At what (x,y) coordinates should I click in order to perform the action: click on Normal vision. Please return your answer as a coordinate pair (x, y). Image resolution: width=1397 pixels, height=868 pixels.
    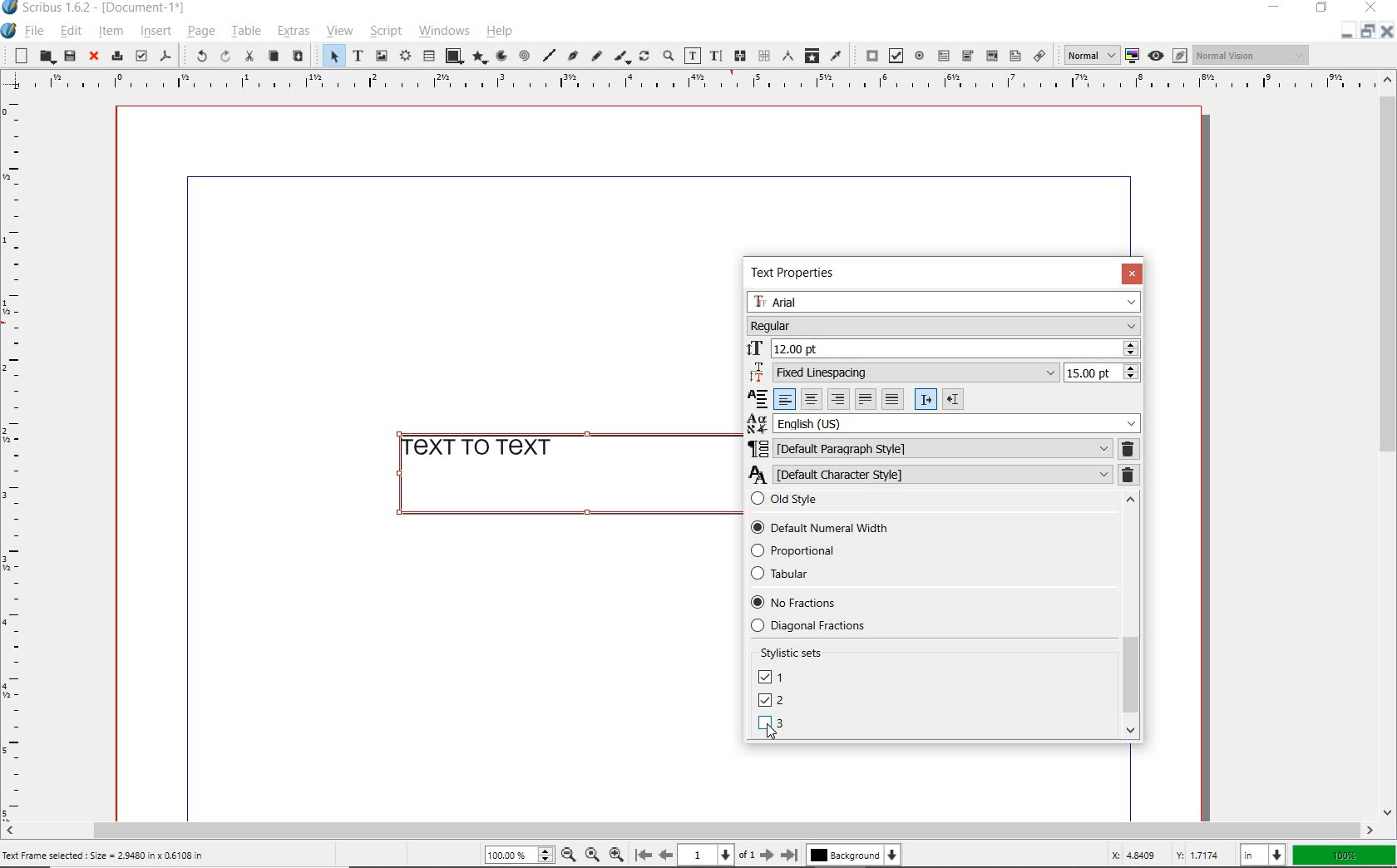
    Looking at the image, I should click on (1251, 56).